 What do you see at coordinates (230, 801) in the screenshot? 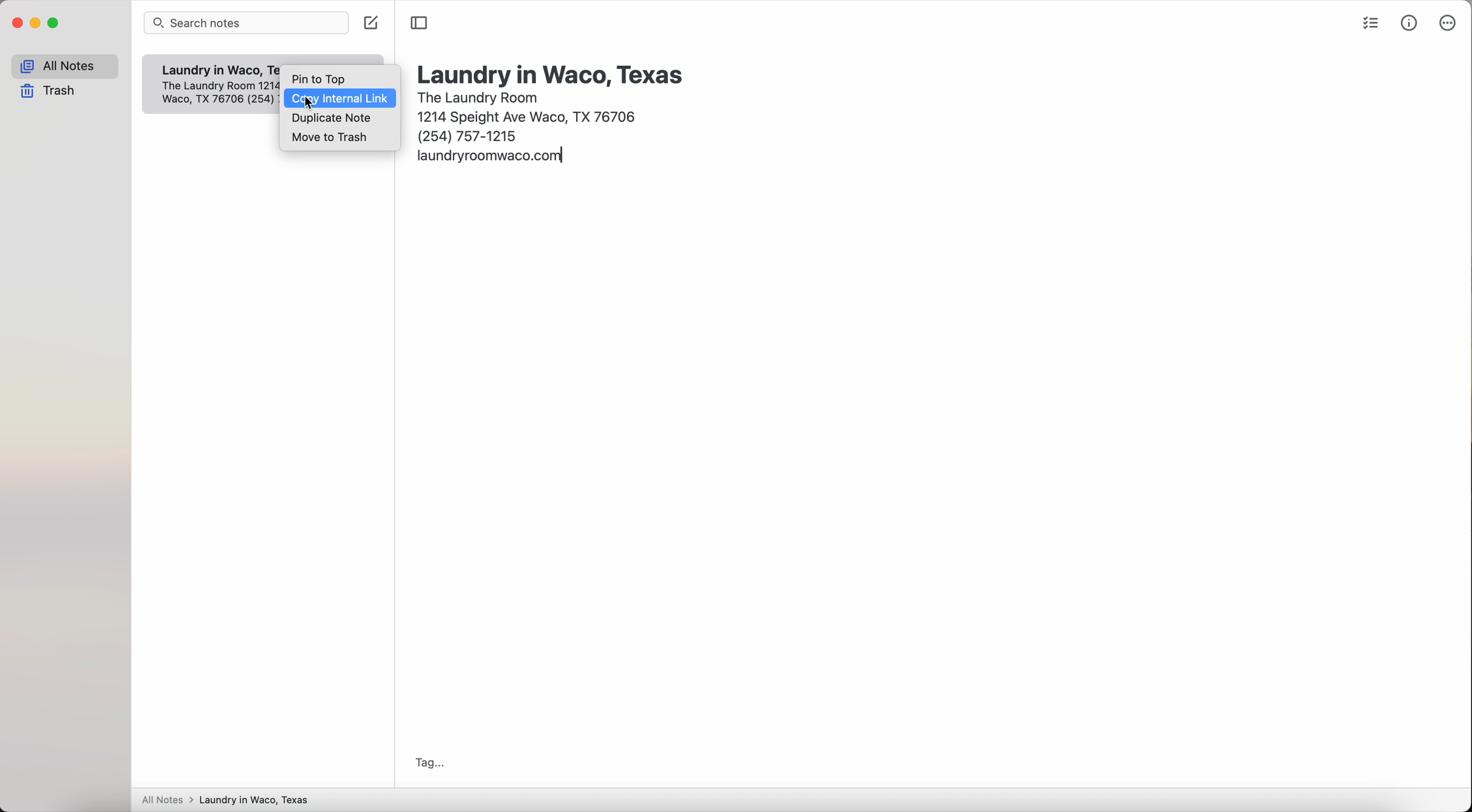
I see `All notes > Laundry in Waco, Texas` at bounding box center [230, 801].